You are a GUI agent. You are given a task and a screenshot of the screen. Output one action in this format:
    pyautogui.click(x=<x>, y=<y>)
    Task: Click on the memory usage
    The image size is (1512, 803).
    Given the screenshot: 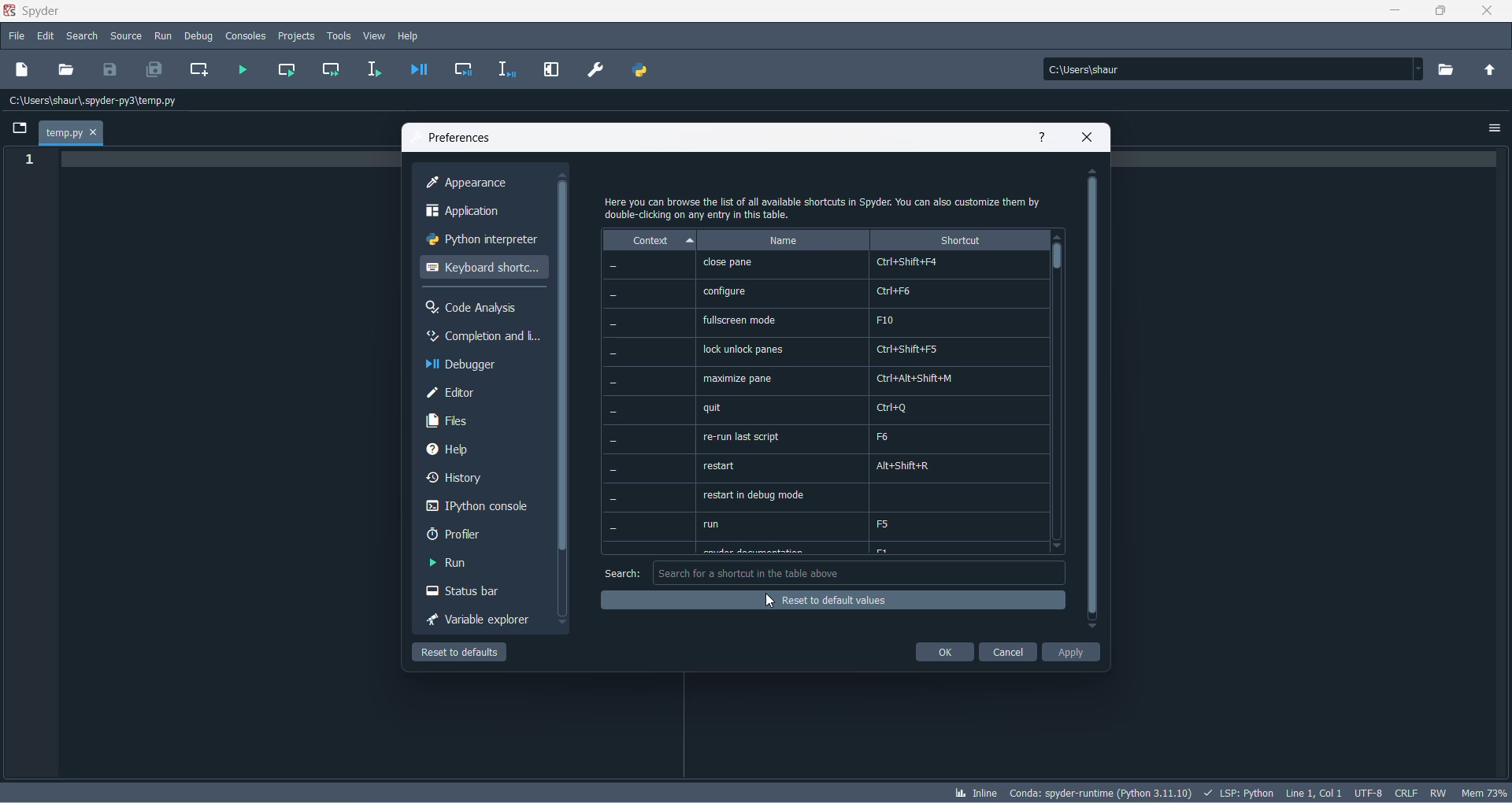 What is the action you would take?
    pyautogui.click(x=1484, y=791)
    